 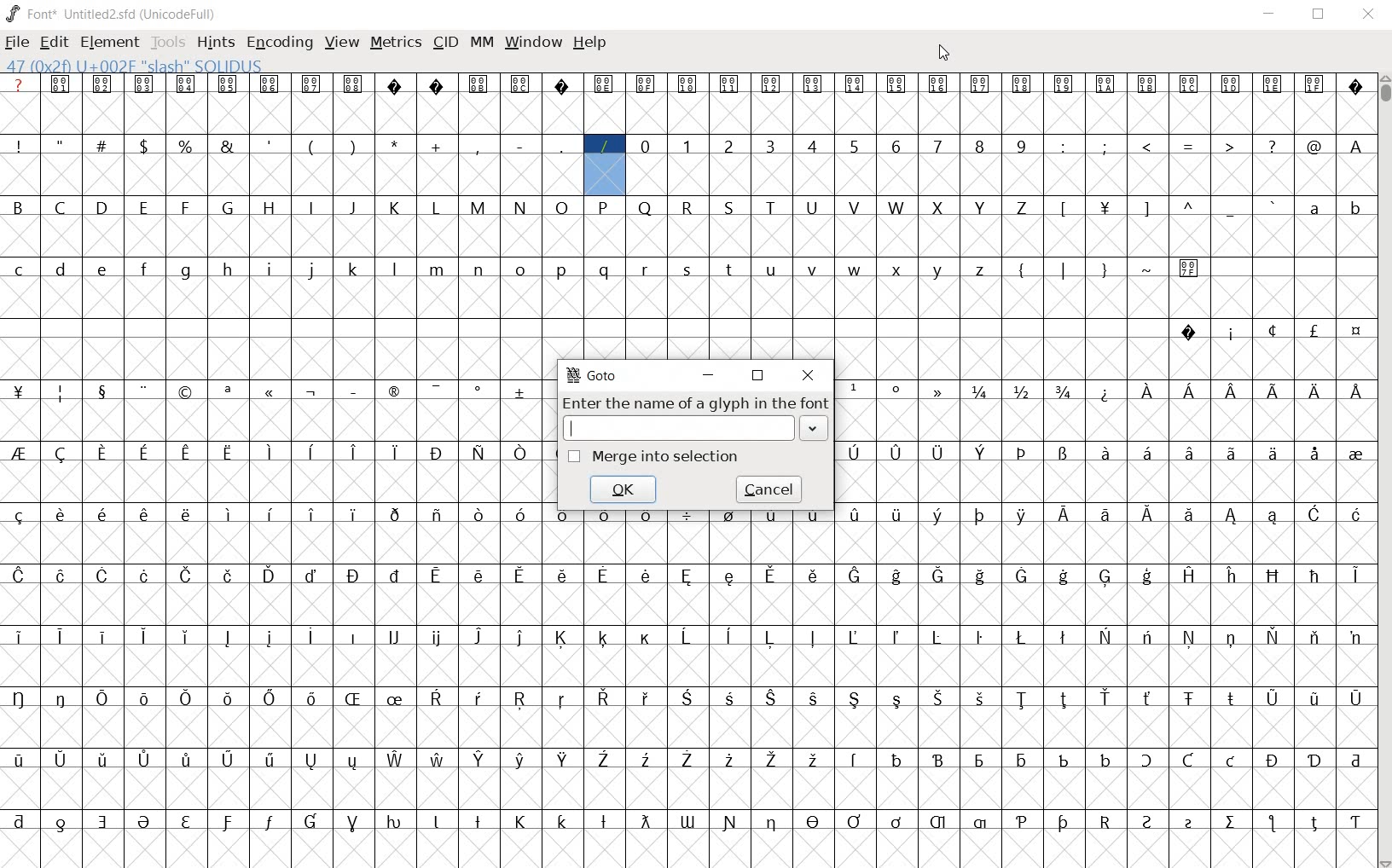 I want to click on glyph, so click(x=980, y=823).